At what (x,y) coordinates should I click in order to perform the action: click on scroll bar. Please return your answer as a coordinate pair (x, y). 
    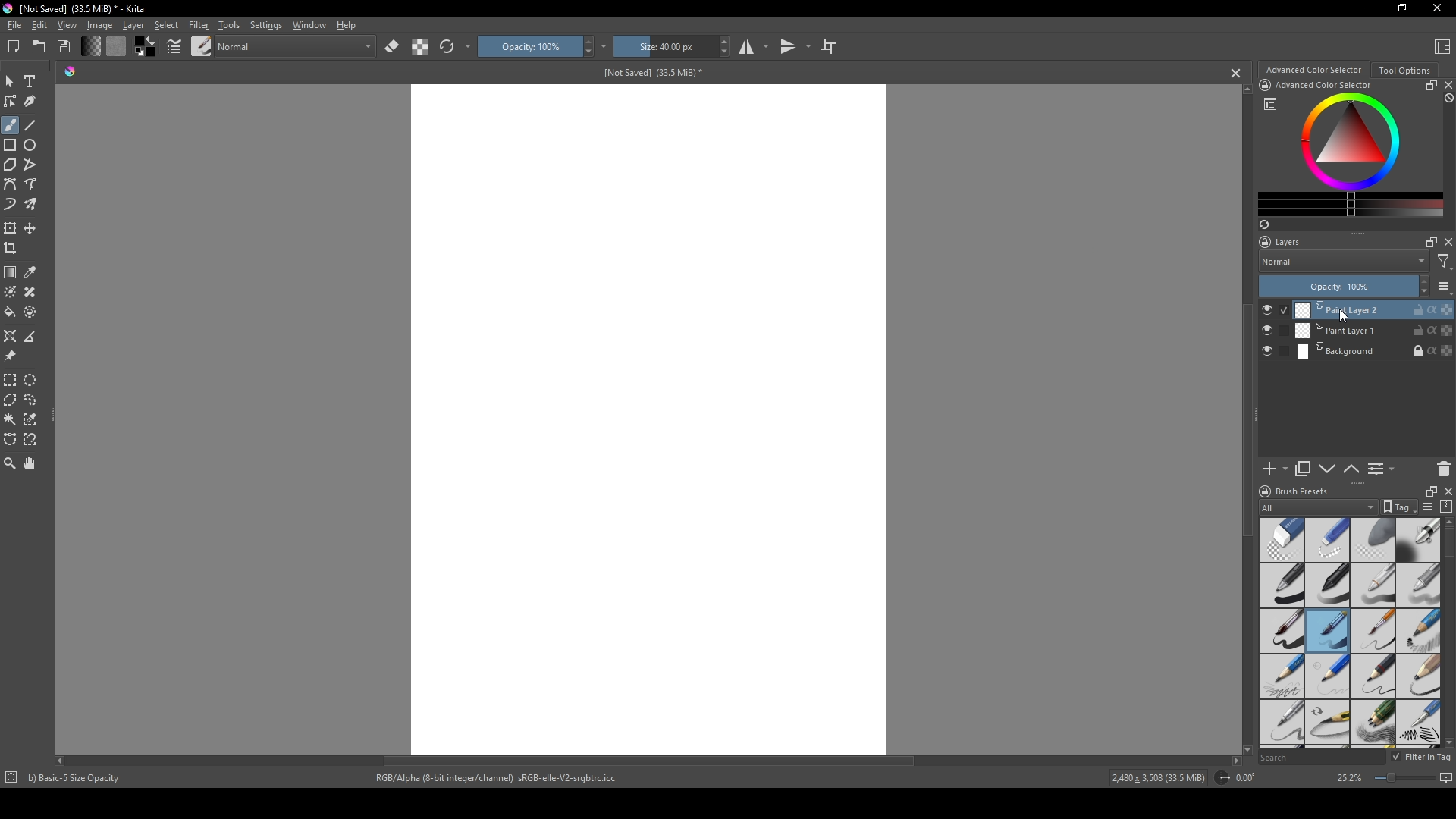
    Looking at the image, I should click on (1447, 544).